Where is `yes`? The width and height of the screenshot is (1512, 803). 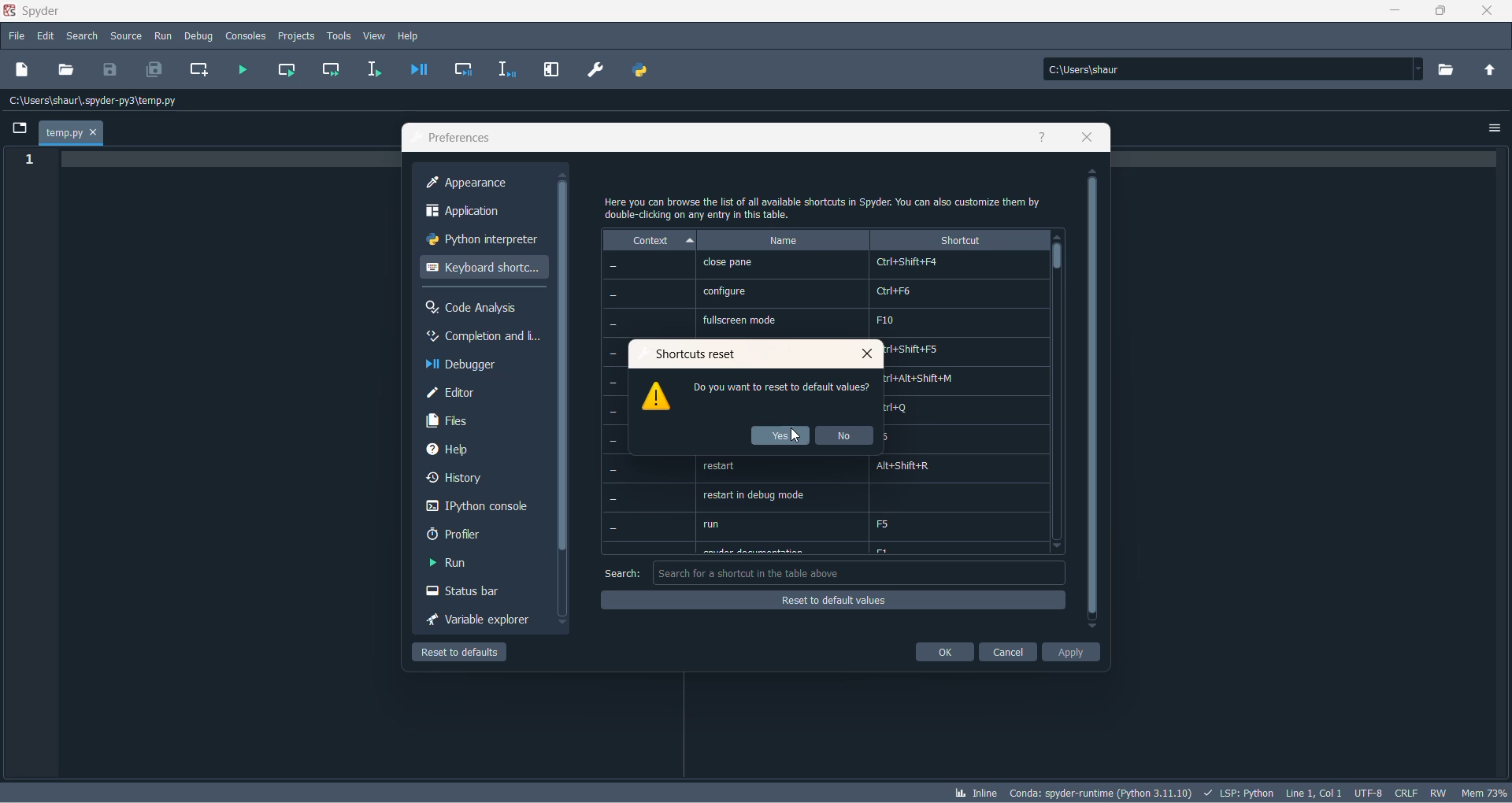
yes is located at coordinates (780, 436).